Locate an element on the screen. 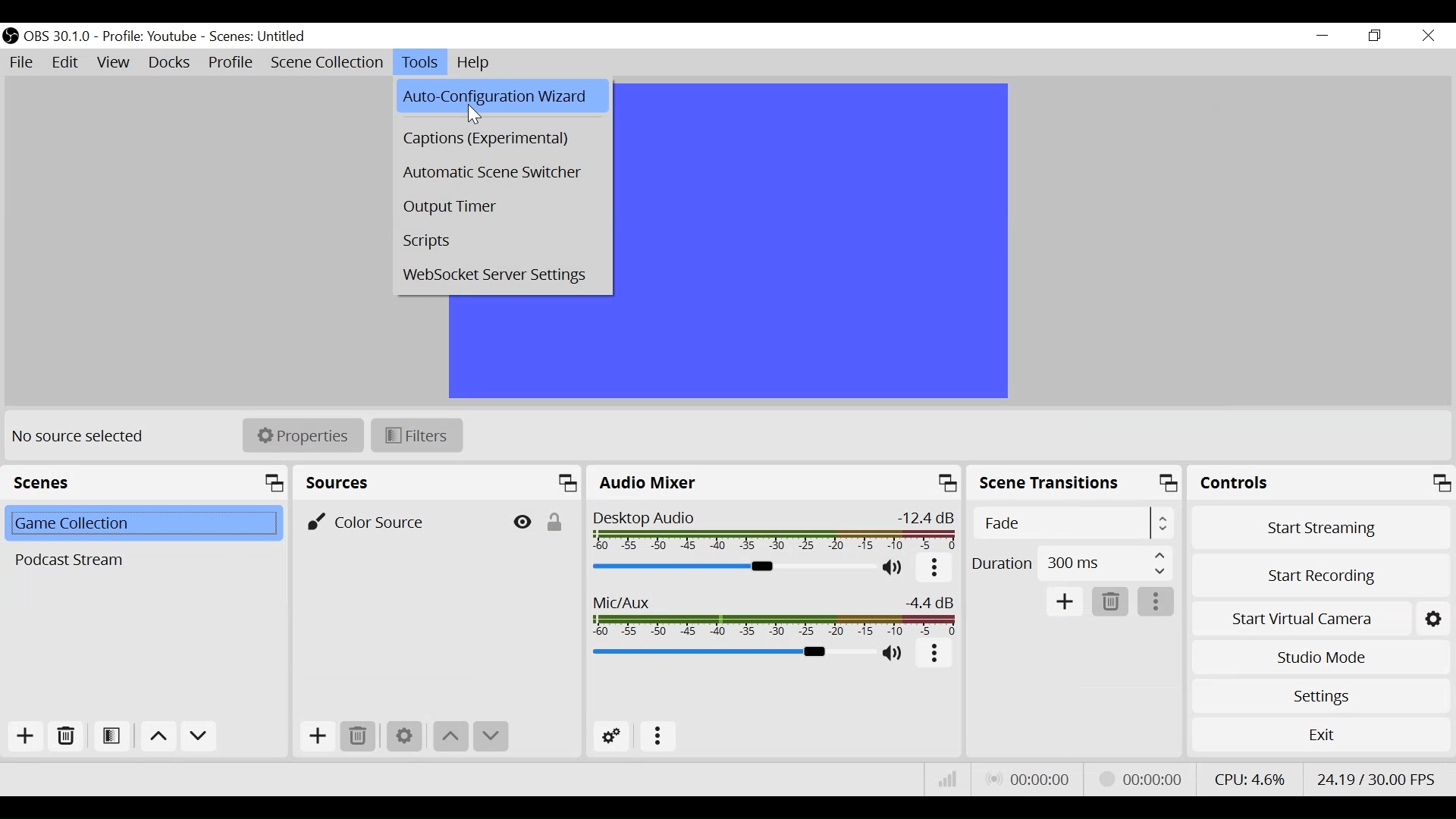 This screenshot has height=819, width=1456. Scenes Panel is located at coordinates (145, 482).